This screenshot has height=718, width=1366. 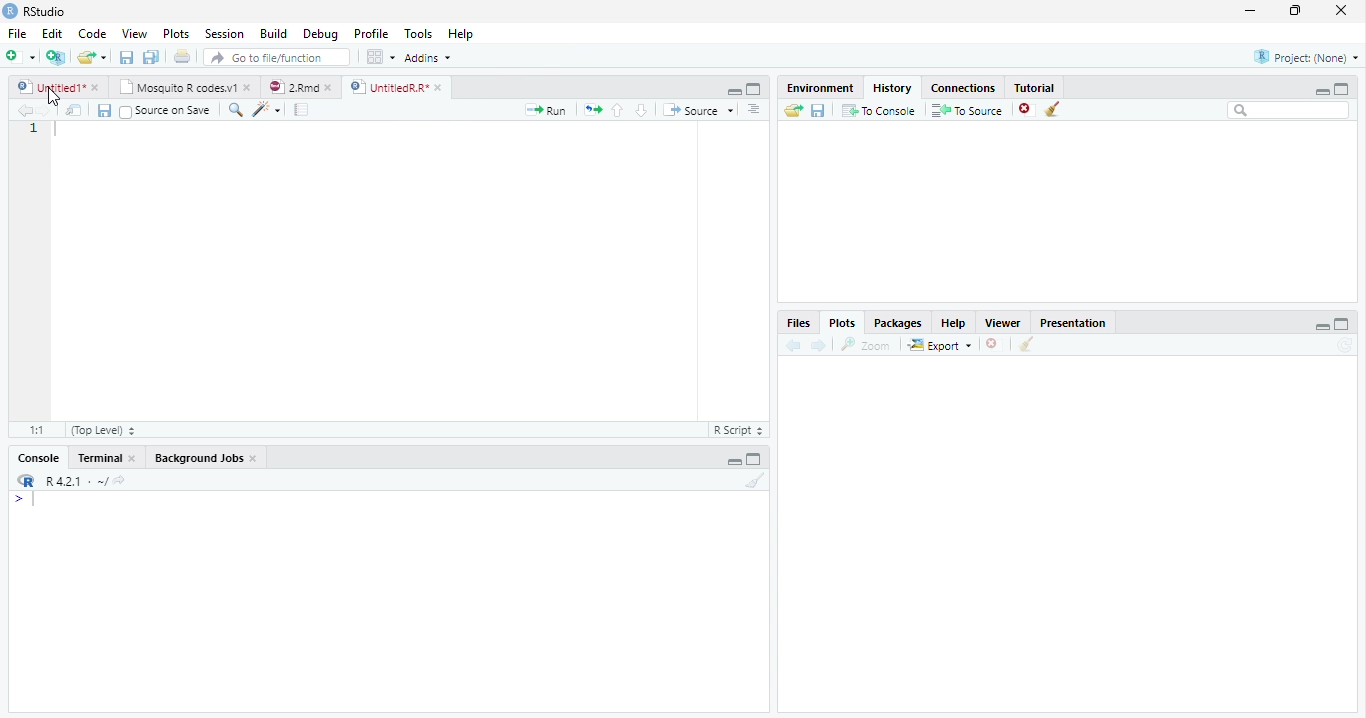 I want to click on Files, so click(x=801, y=323).